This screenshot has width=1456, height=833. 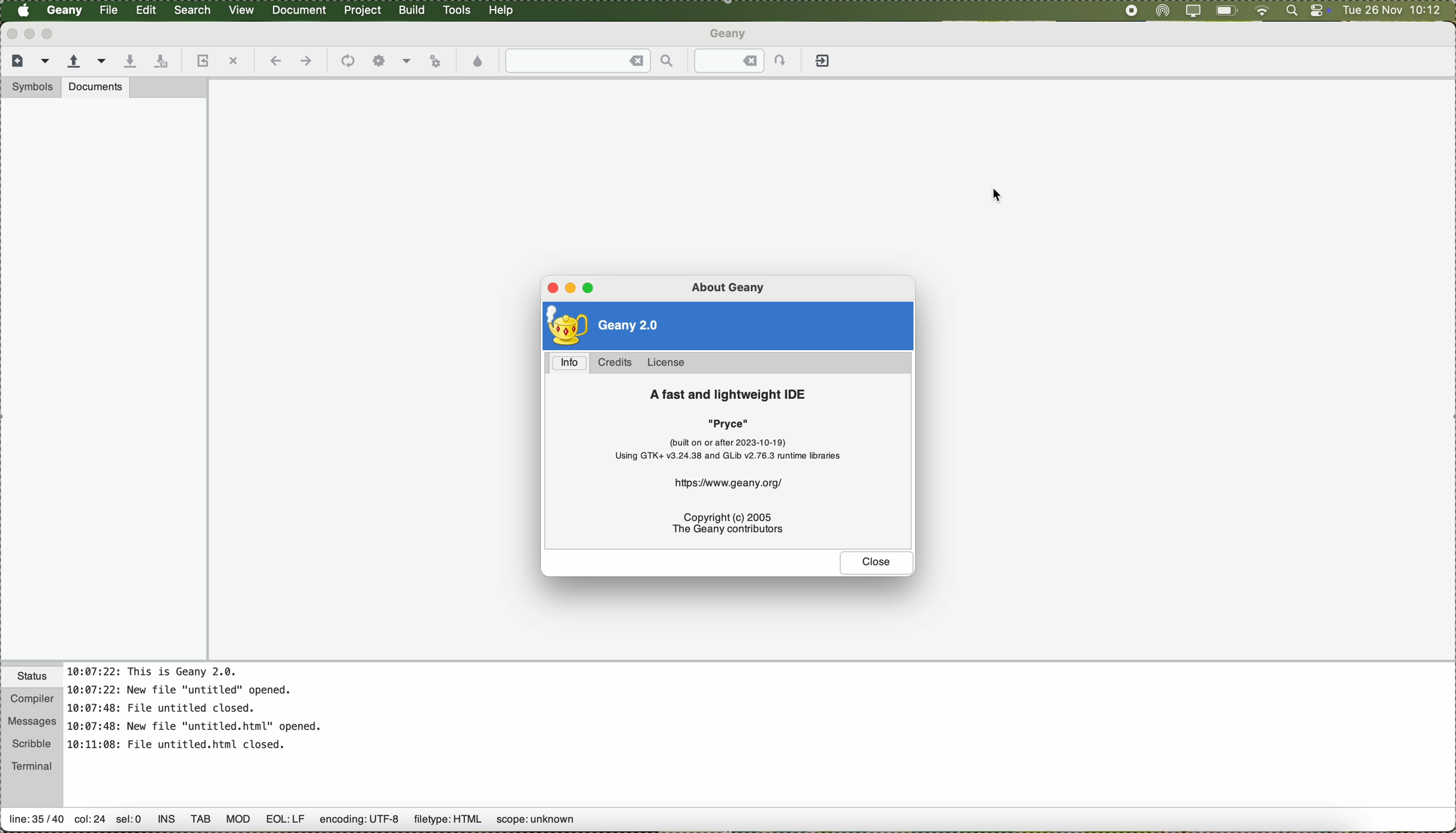 What do you see at coordinates (31, 697) in the screenshot?
I see `compiler` at bounding box center [31, 697].